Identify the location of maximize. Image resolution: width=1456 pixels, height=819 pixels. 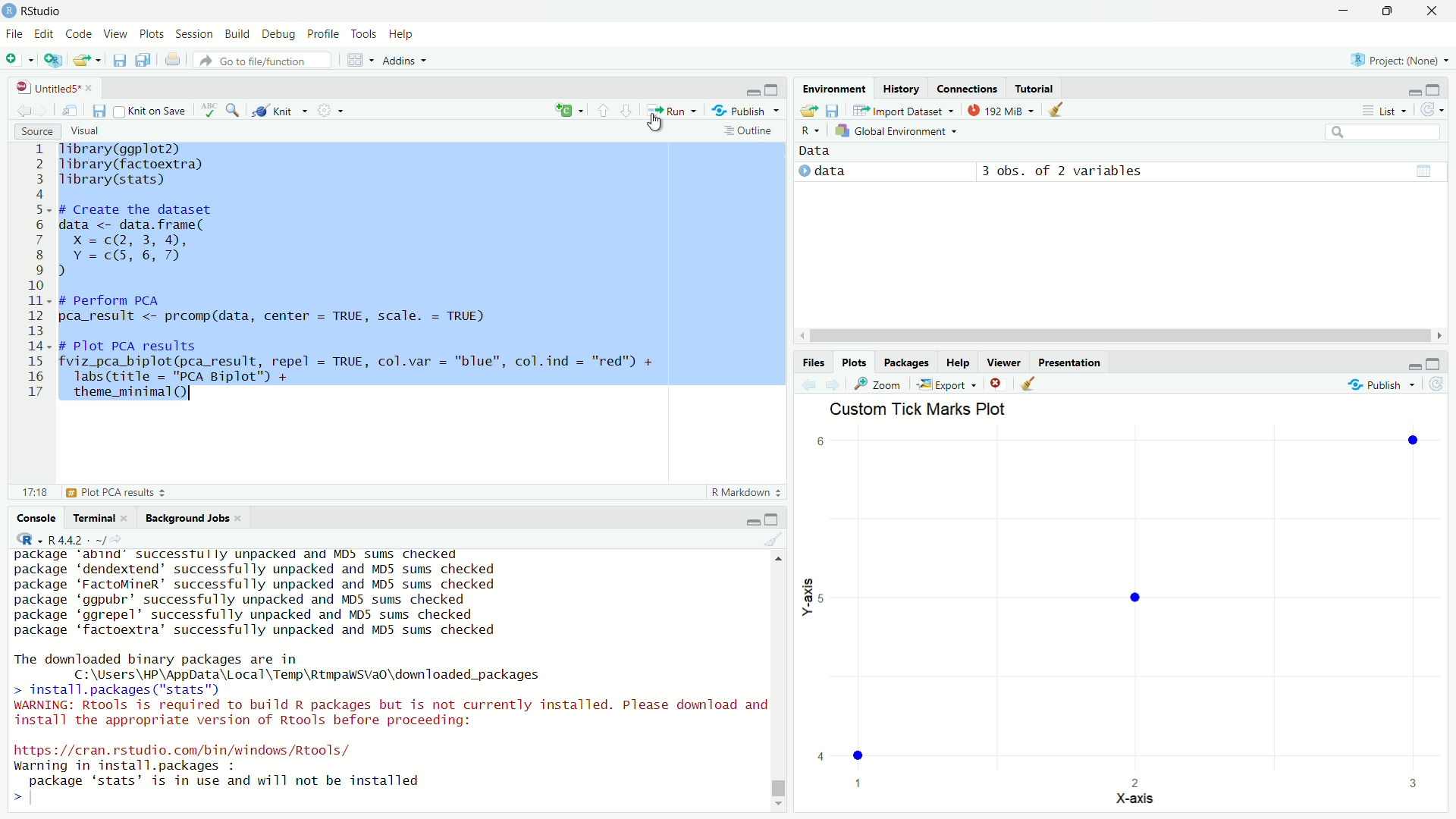
(1435, 89).